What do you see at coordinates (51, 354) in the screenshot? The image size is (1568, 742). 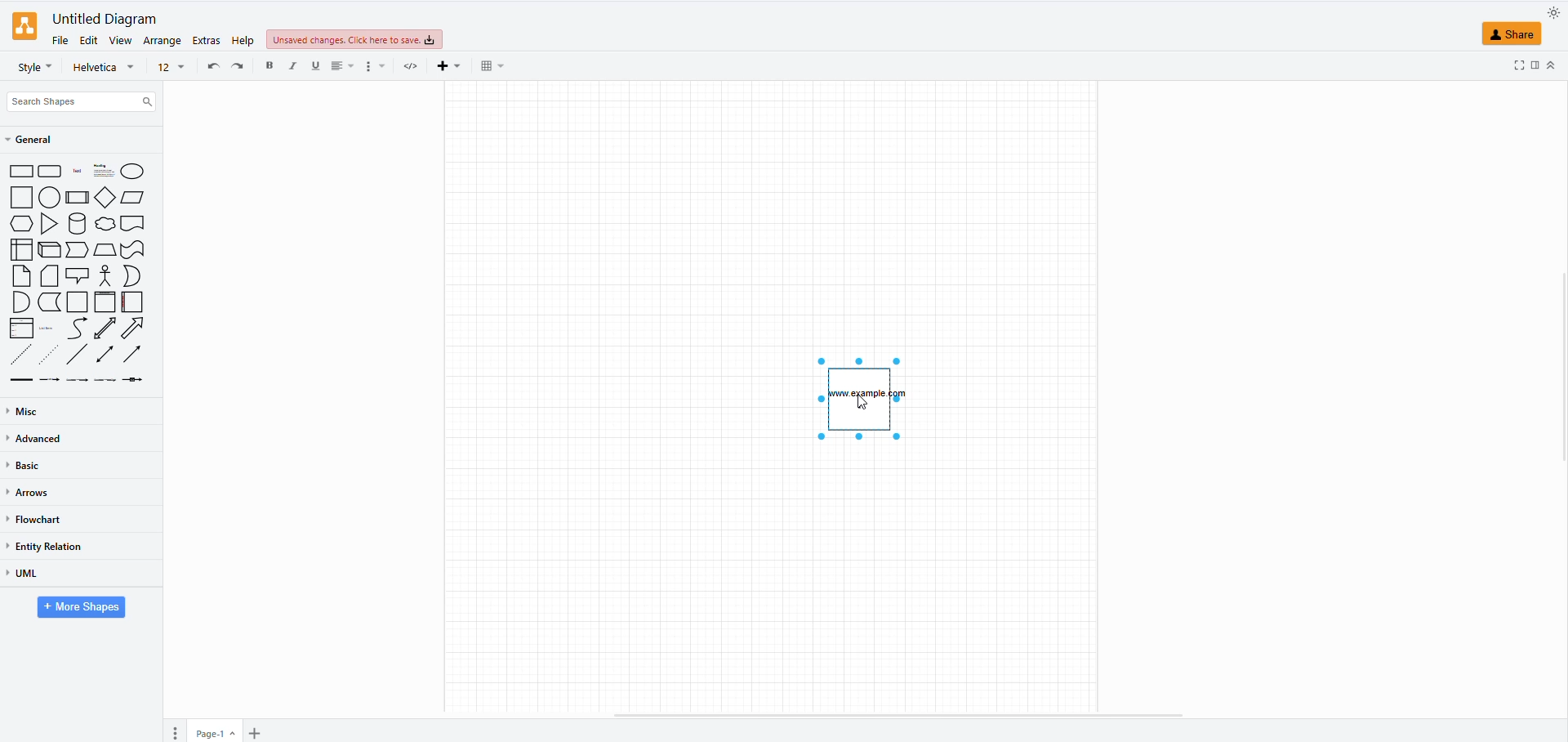 I see `dotted line` at bounding box center [51, 354].